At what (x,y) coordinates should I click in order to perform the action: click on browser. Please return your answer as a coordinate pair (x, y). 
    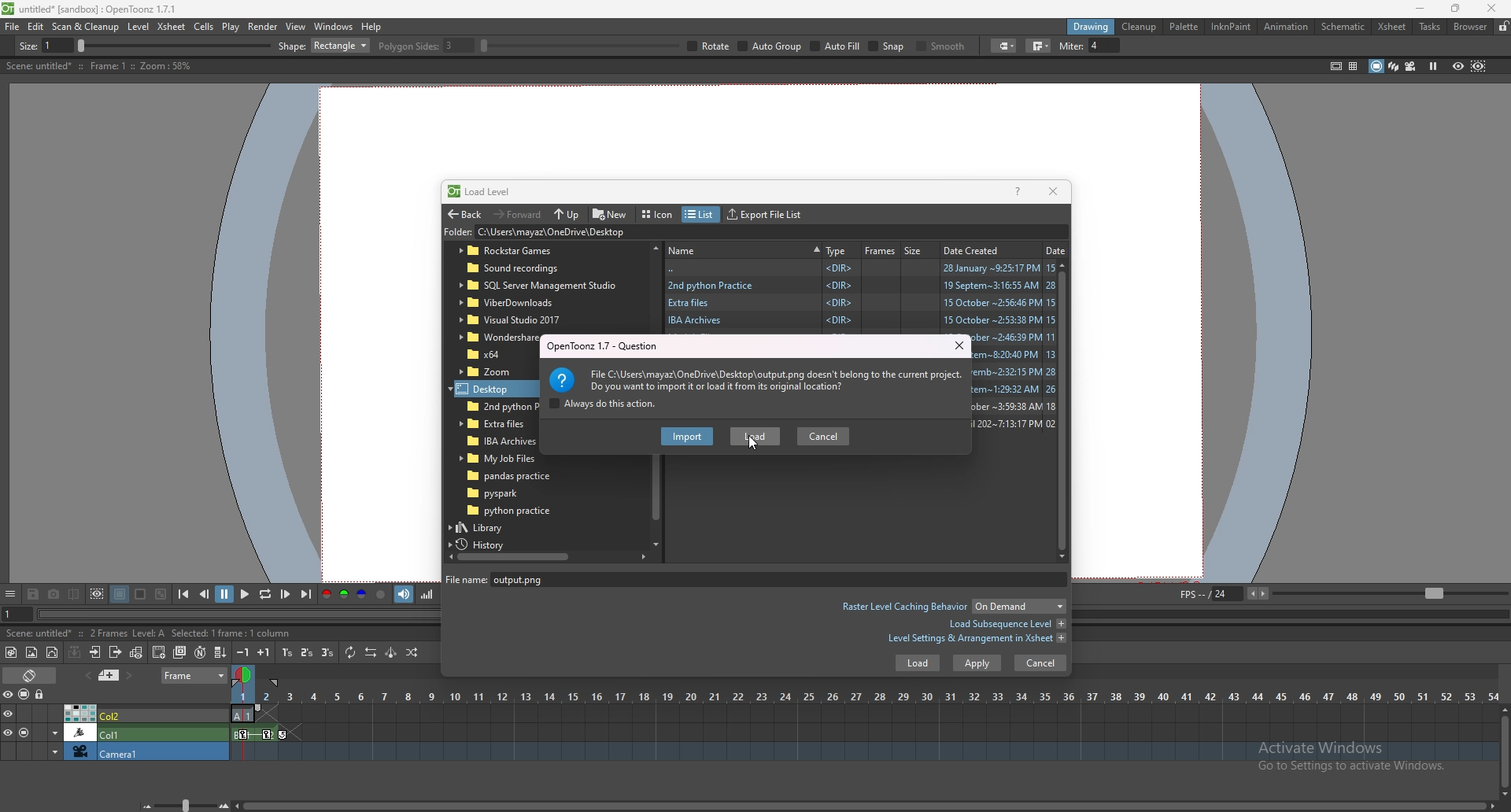
    Looking at the image, I should click on (1471, 27).